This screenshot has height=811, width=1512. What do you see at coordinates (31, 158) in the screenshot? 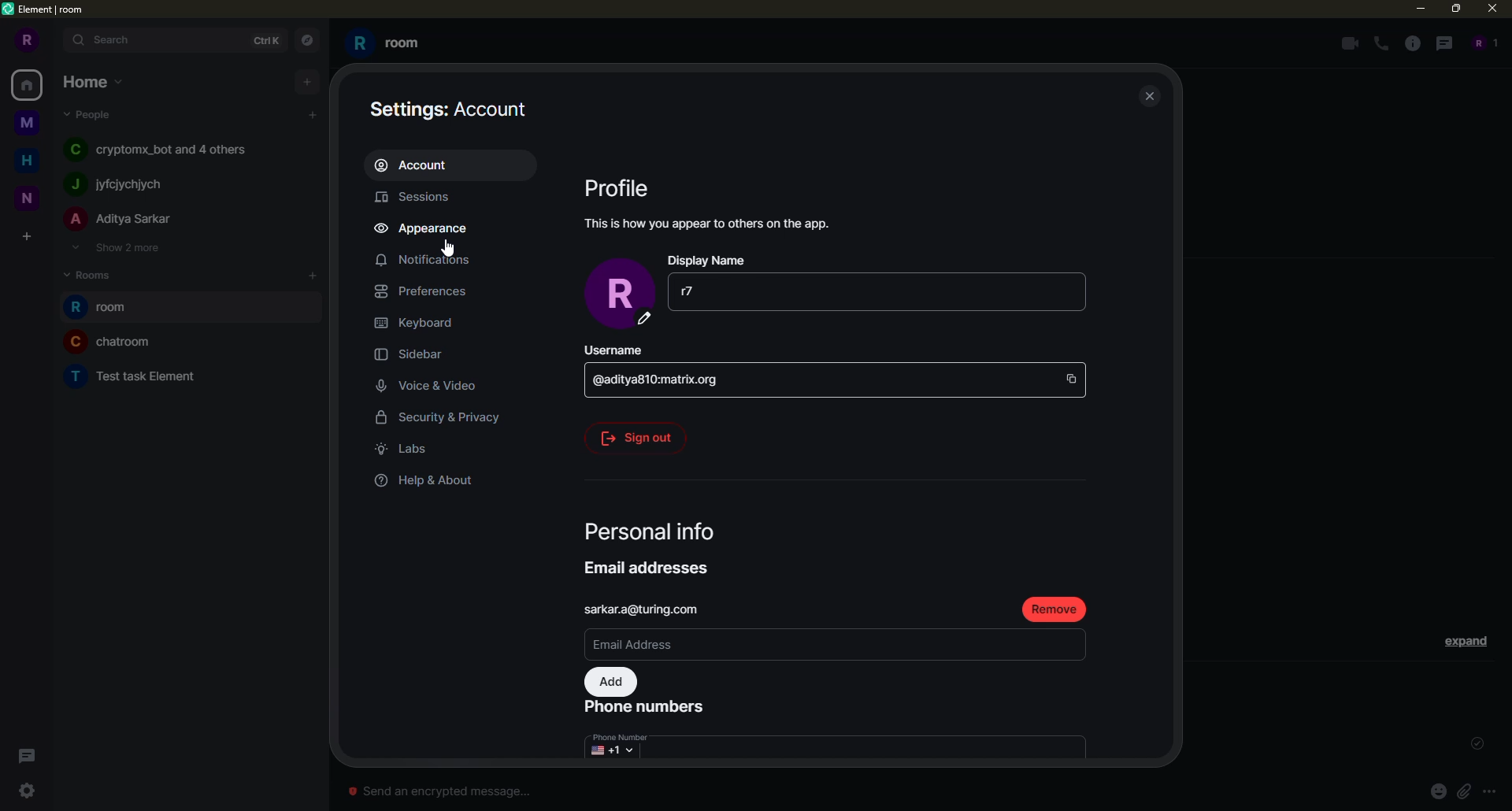
I see `home` at bounding box center [31, 158].